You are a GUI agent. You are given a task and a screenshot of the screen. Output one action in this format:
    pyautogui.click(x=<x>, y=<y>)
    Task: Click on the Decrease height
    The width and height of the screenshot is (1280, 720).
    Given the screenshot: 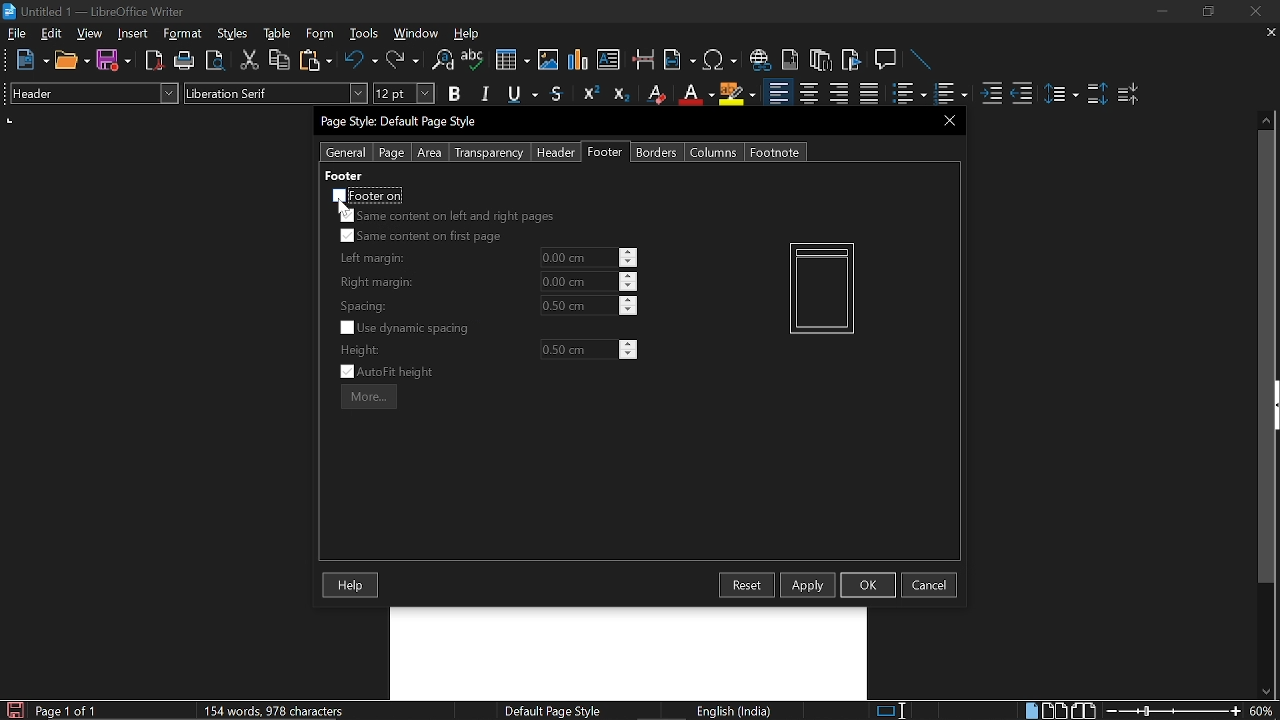 What is the action you would take?
    pyautogui.click(x=629, y=355)
    